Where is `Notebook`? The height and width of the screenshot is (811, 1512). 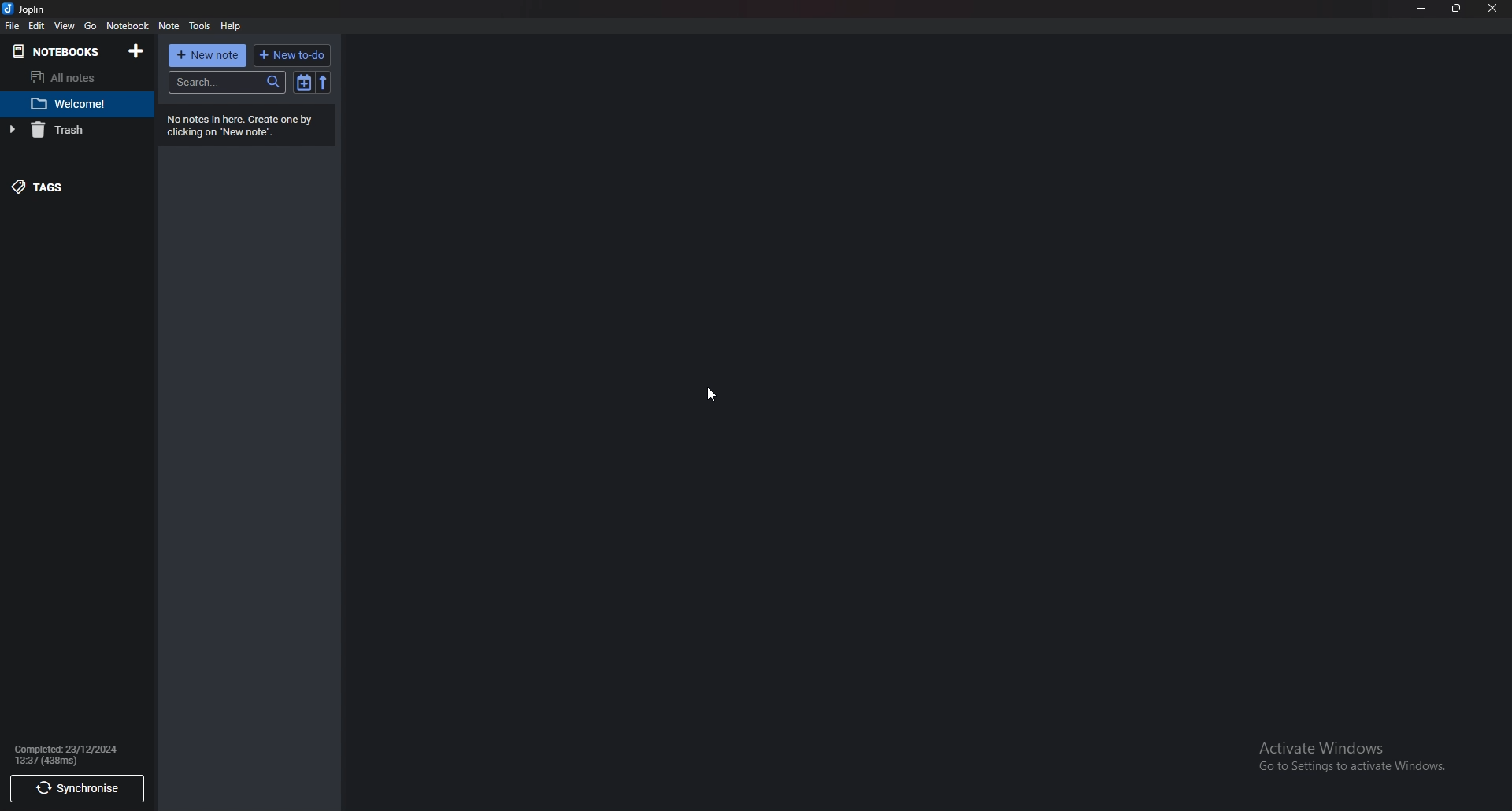
Notebook is located at coordinates (128, 26).